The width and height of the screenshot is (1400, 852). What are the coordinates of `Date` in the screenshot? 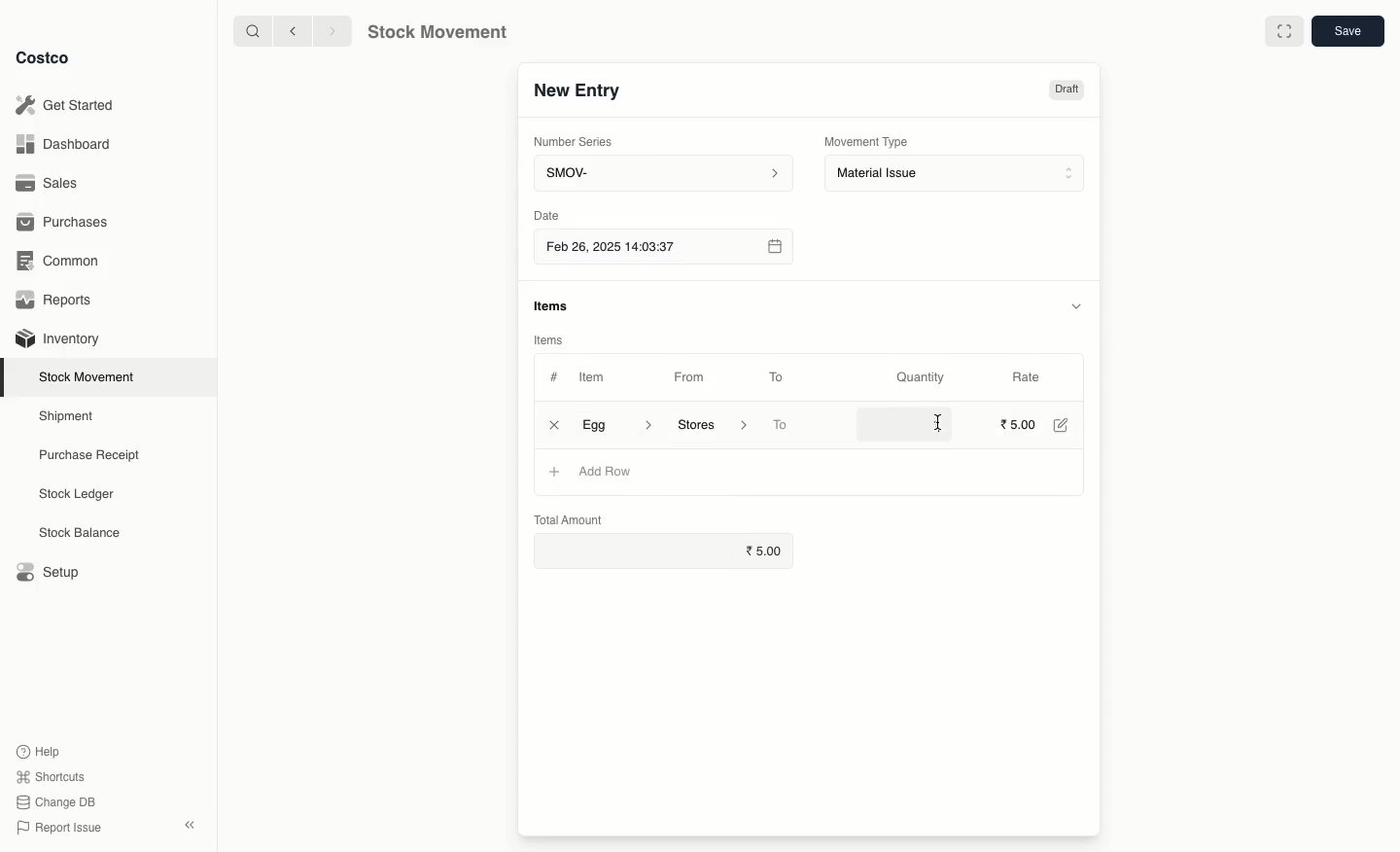 It's located at (545, 215).